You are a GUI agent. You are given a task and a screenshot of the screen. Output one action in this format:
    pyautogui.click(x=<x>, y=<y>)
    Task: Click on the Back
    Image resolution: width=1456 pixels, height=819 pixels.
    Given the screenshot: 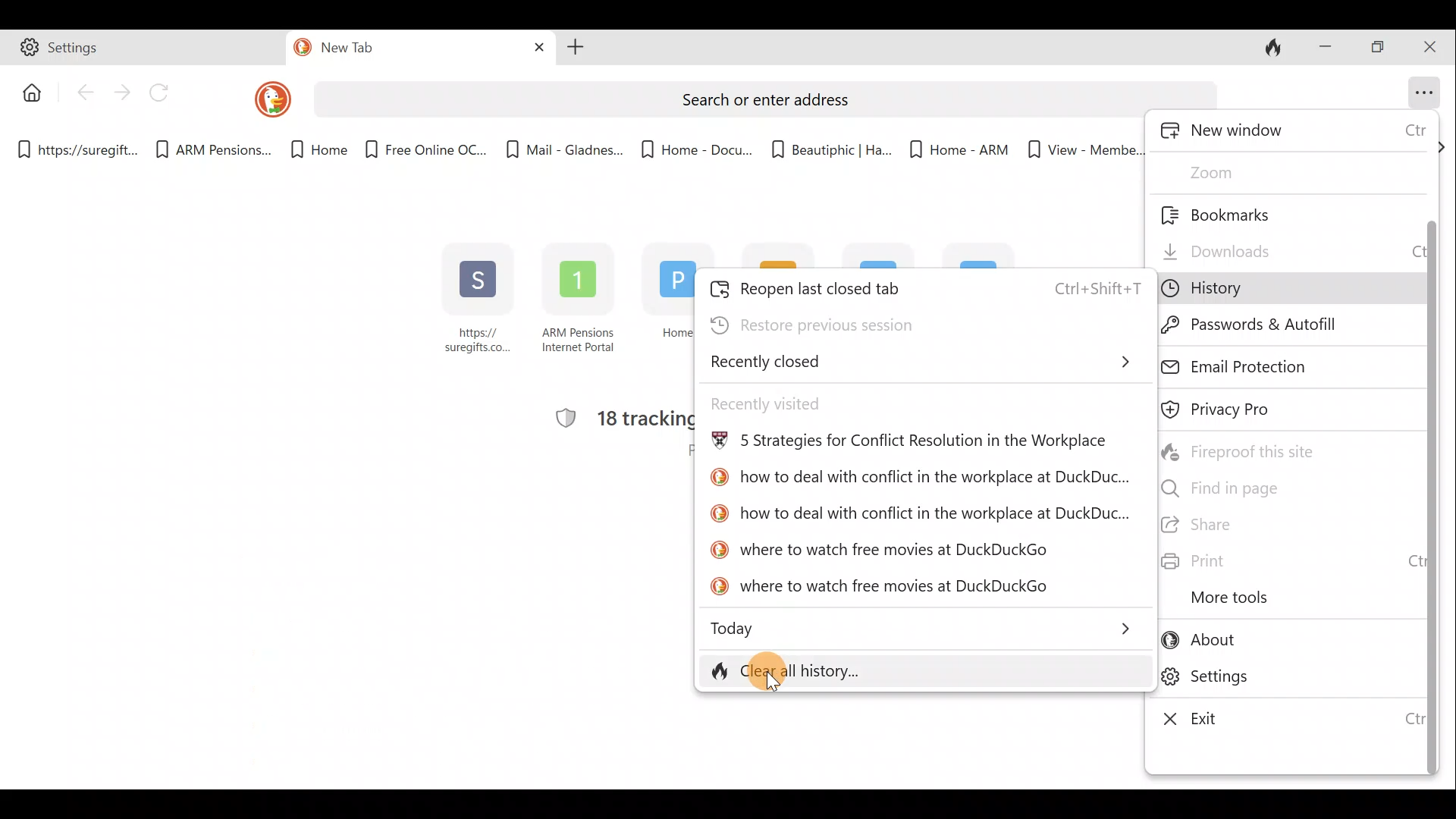 What is the action you would take?
    pyautogui.click(x=84, y=96)
    